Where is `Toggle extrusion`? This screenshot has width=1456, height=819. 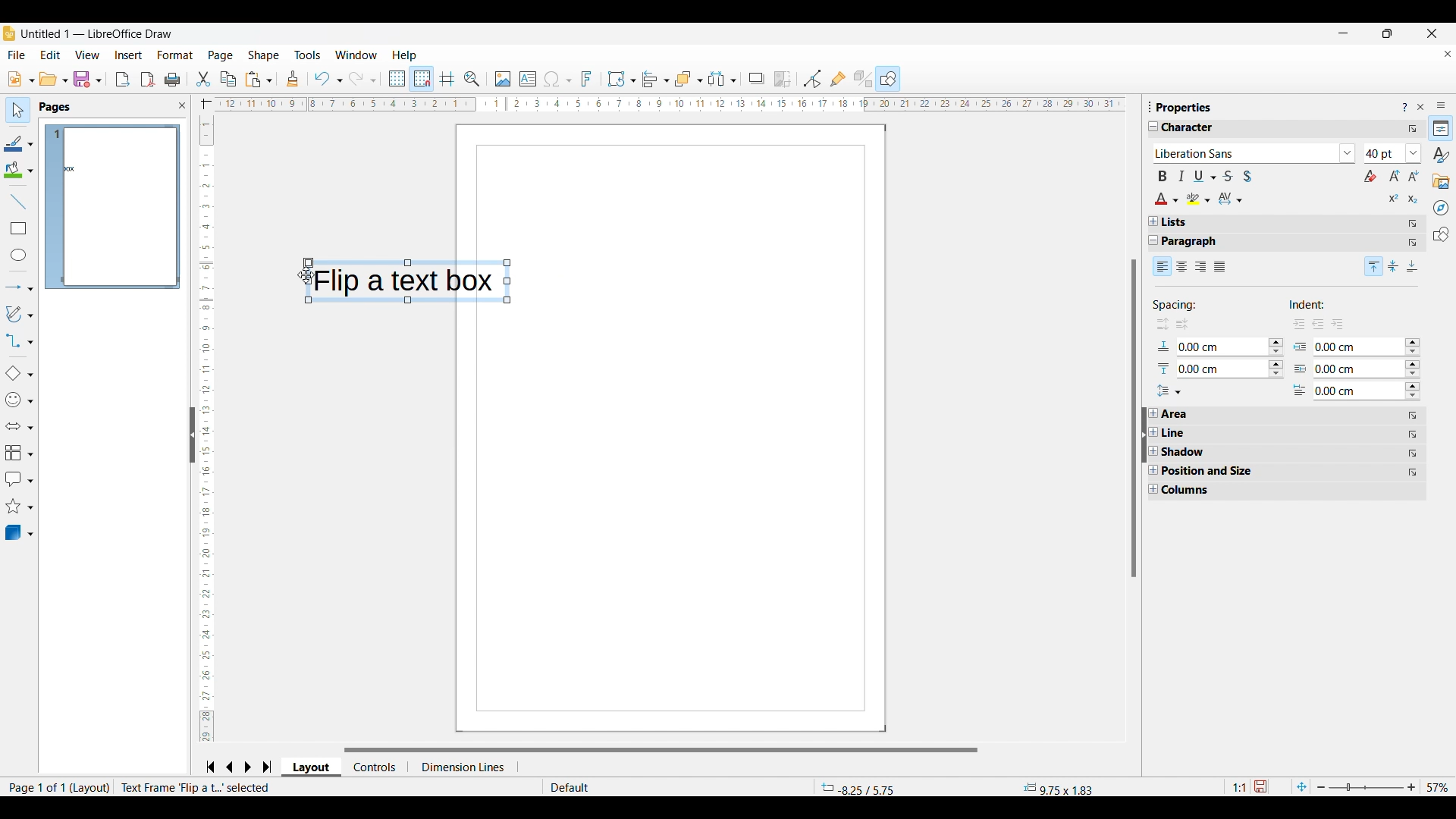 Toggle extrusion is located at coordinates (864, 79).